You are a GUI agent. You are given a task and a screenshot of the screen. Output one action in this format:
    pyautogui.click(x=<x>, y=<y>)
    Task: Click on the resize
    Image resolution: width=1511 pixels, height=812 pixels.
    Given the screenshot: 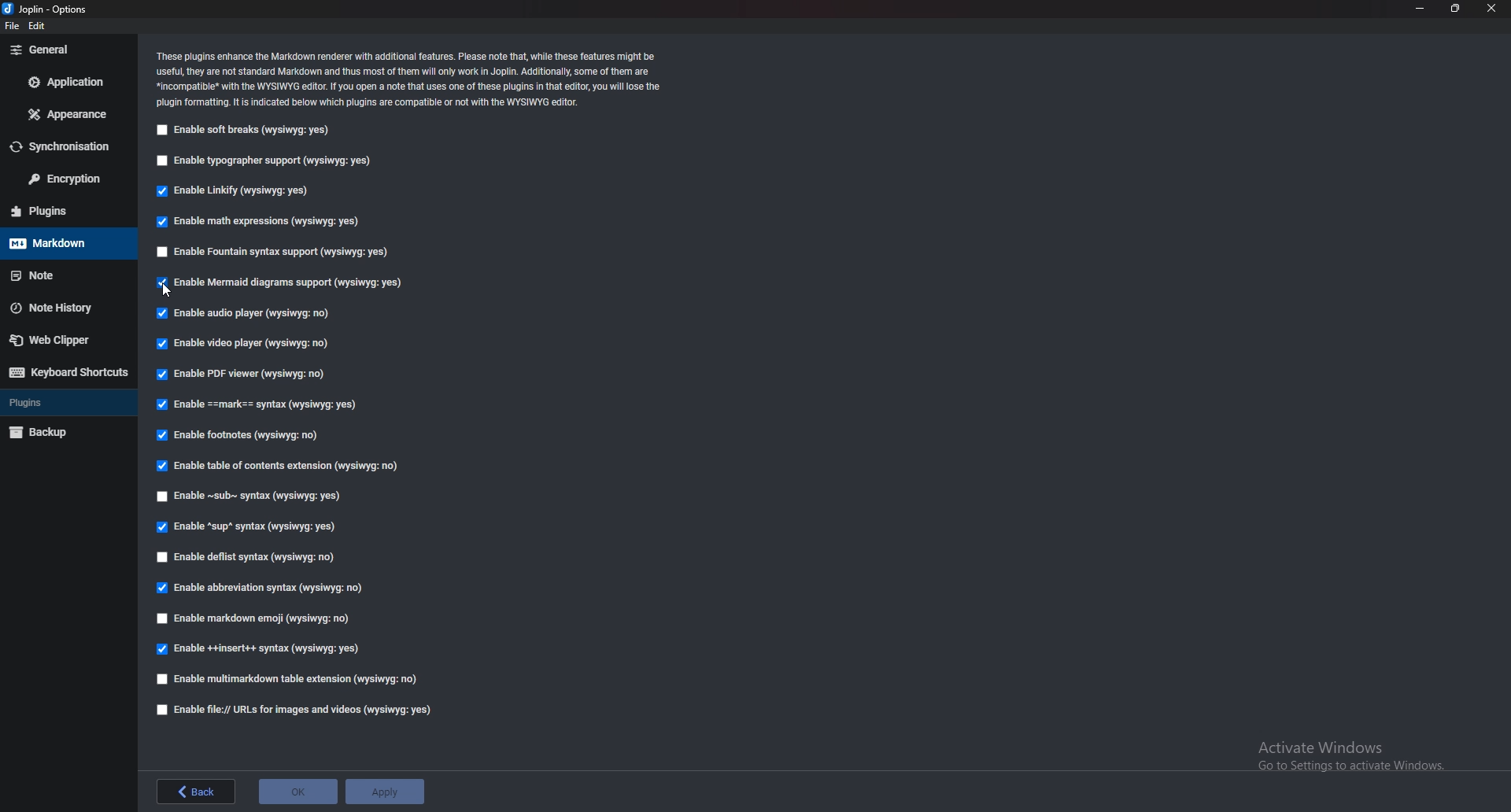 What is the action you would take?
    pyautogui.click(x=1457, y=8)
    